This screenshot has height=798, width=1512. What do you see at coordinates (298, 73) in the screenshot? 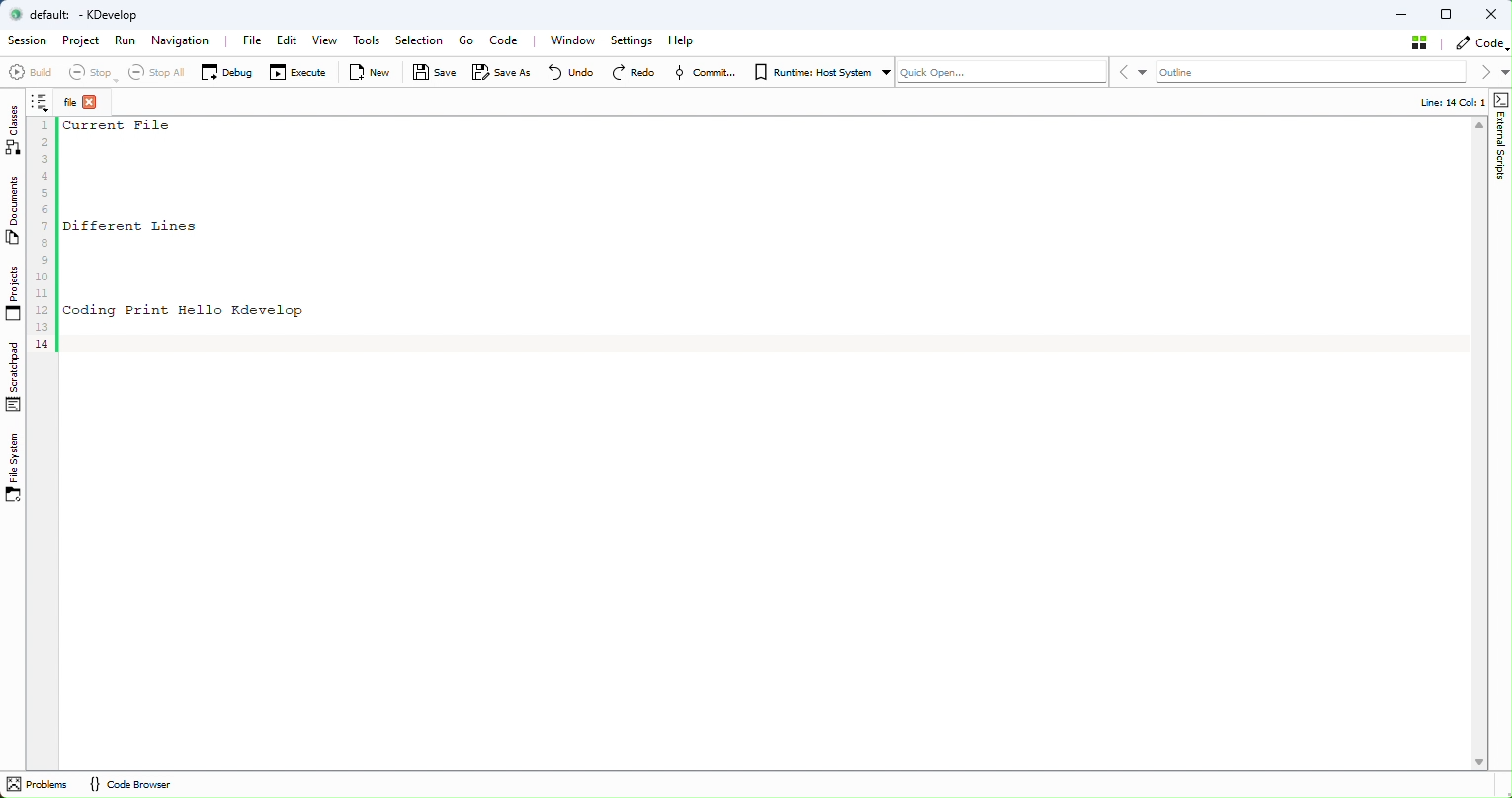
I see `Execute` at bounding box center [298, 73].